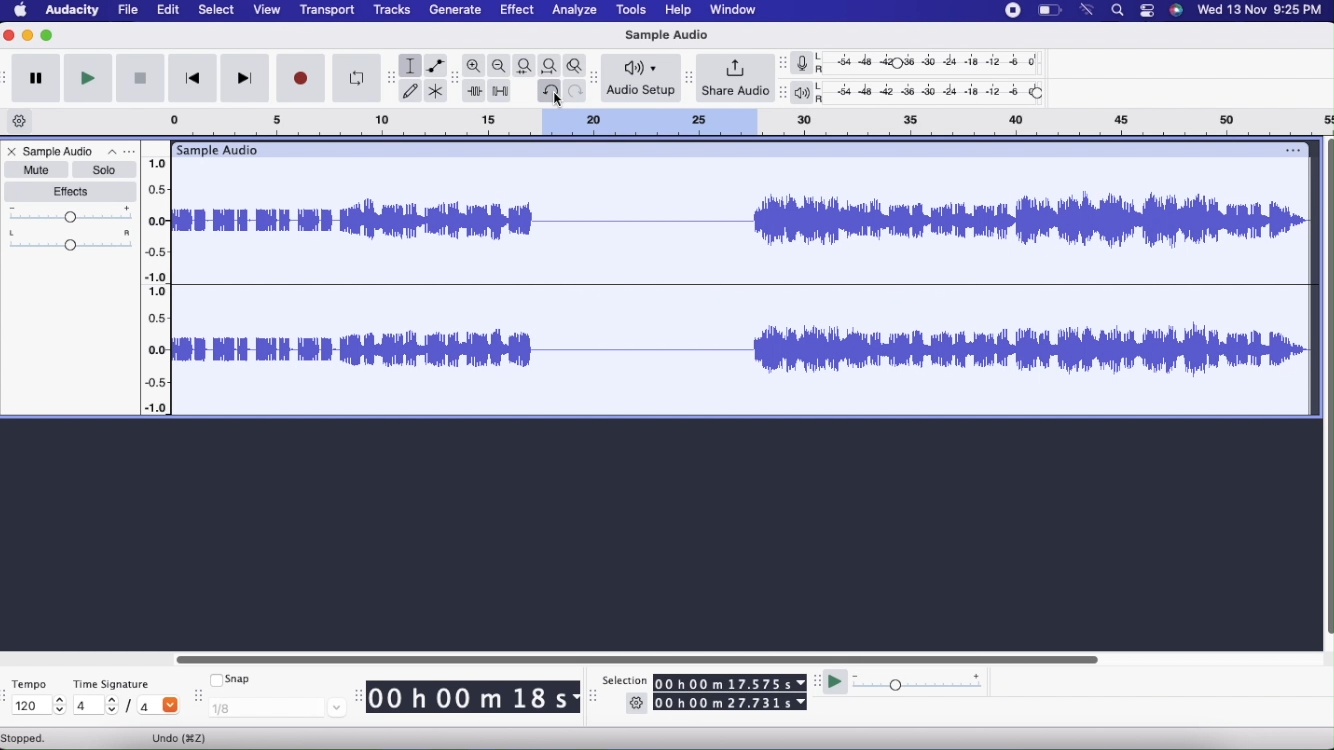 Image resolution: width=1334 pixels, height=750 pixels. What do you see at coordinates (30, 686) in the screenshot?
I see `Tempo` at bounding box center [30, 686].